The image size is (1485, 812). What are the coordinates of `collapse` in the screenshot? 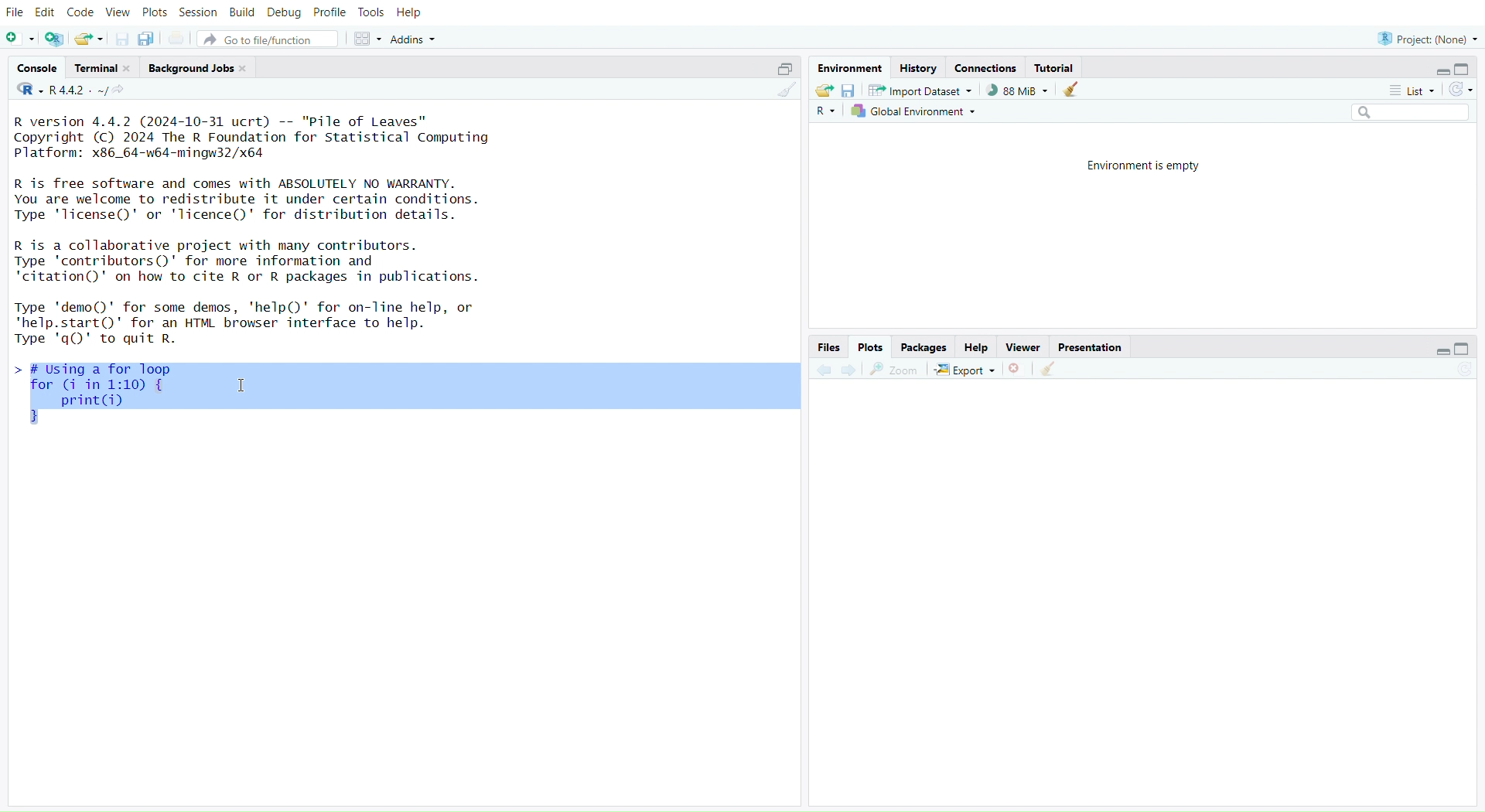 It's located at (783, 69).